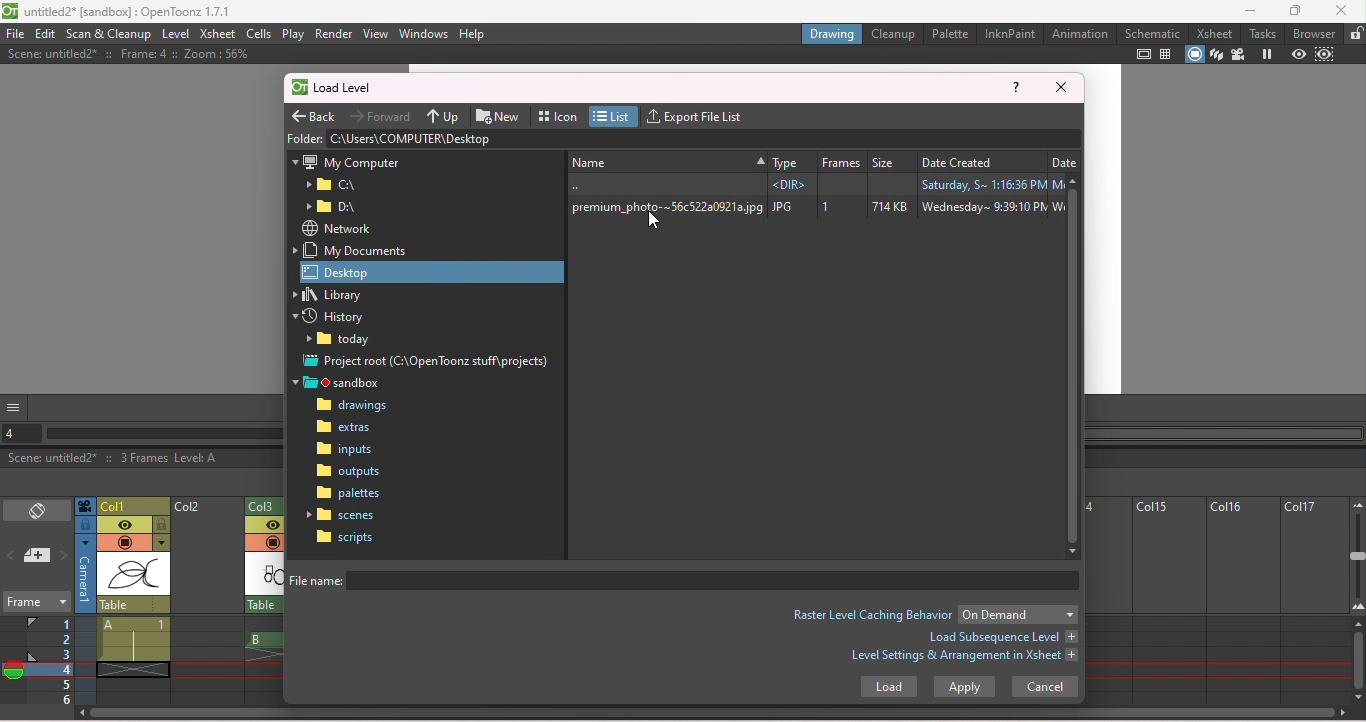 The height and width of the screenshot is (722, 1366). Describe the element at coordinates (47, 34) in the screenshot. I see `Edit` at that location.